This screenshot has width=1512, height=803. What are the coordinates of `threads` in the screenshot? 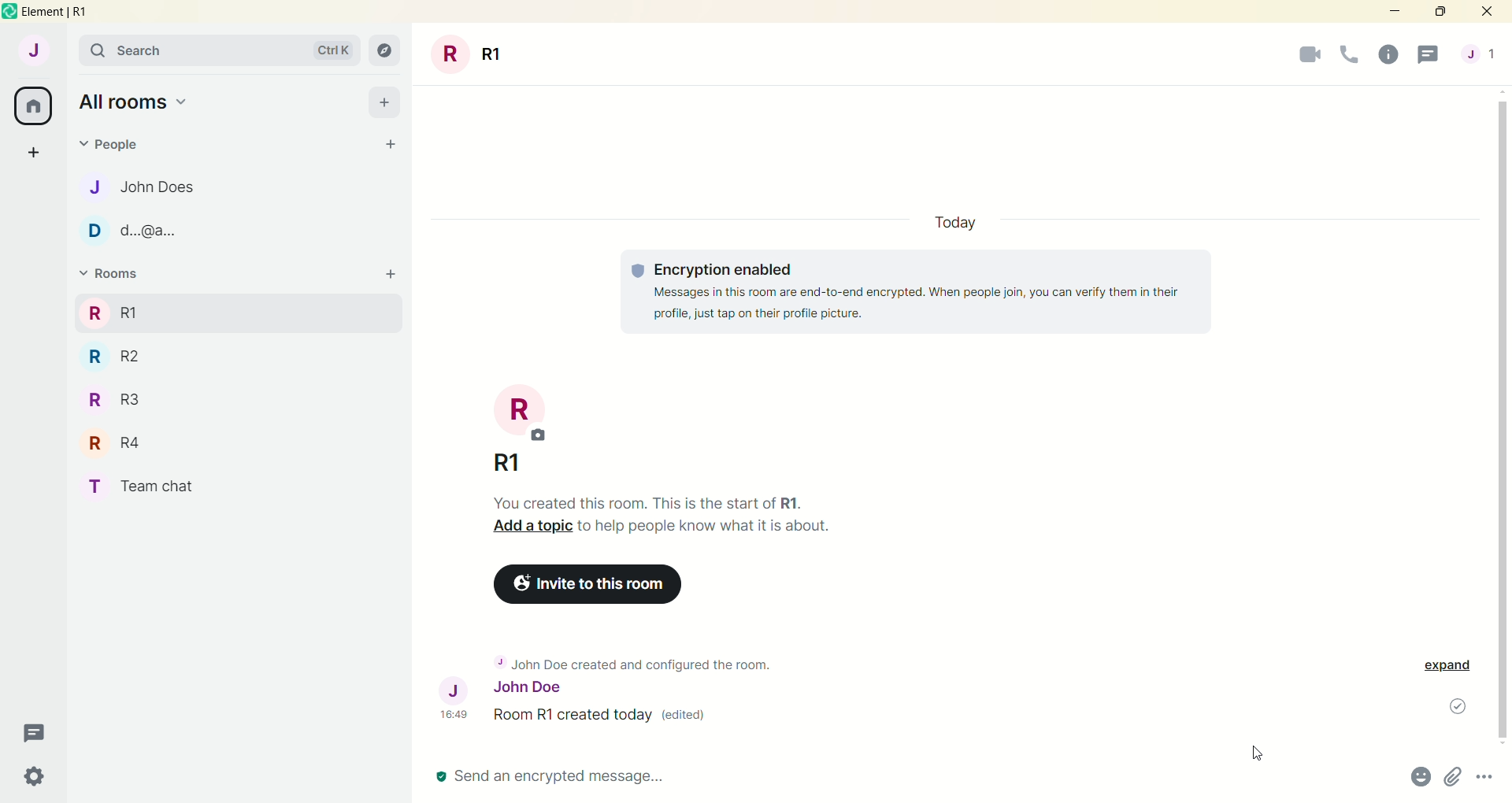 It's located at (1430, 54).